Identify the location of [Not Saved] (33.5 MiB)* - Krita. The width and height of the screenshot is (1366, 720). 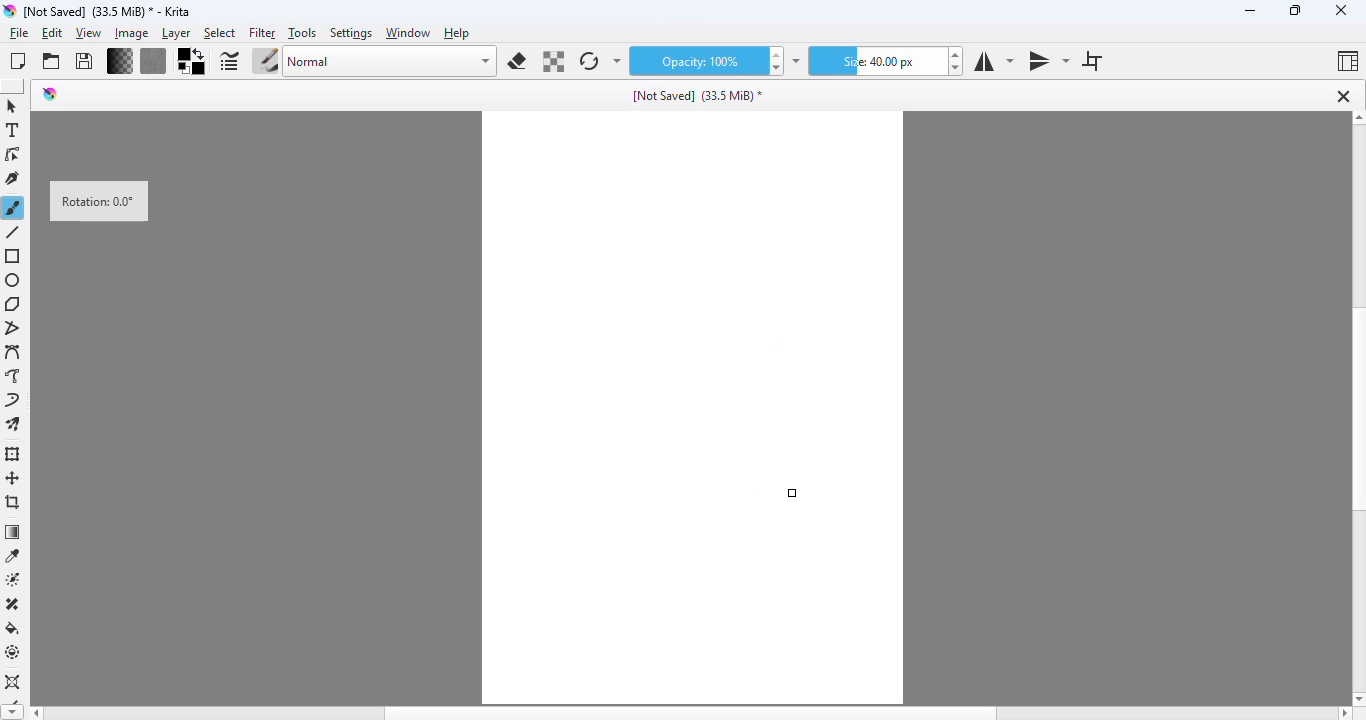
(107, 11).